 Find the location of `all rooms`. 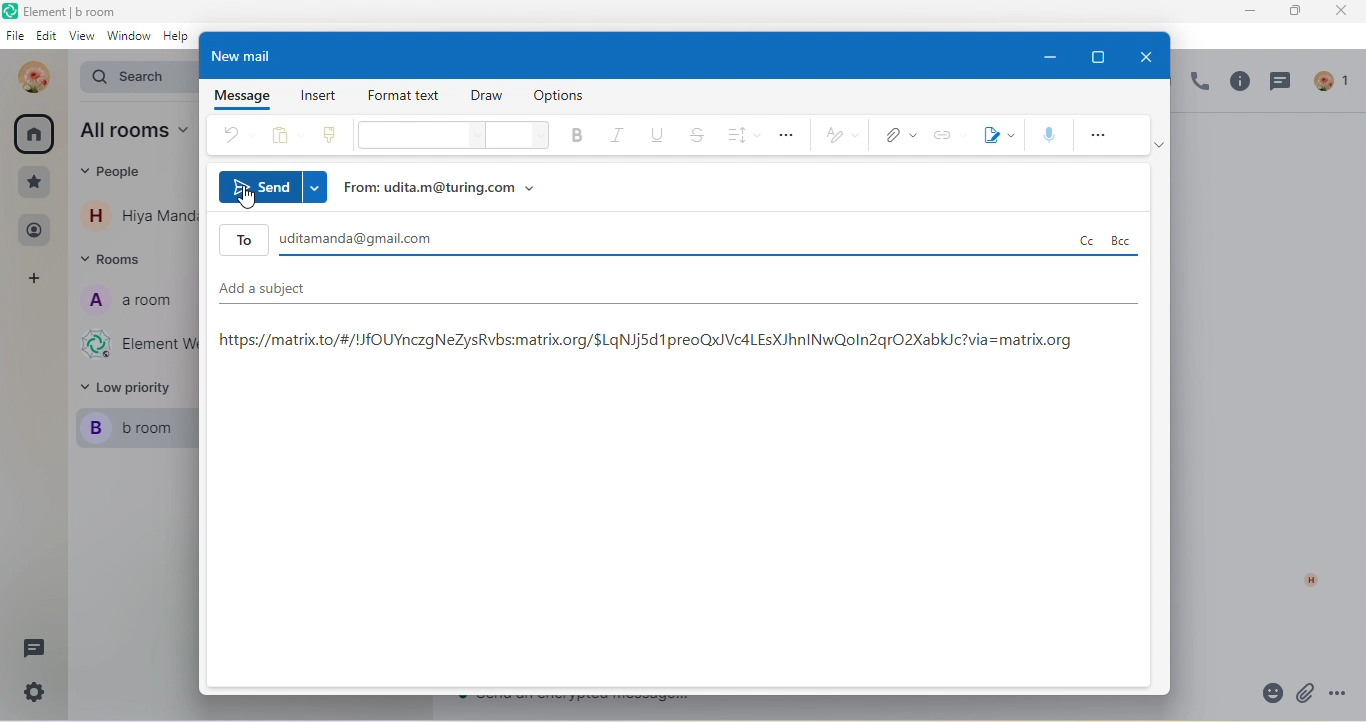

all rooms is located at coordinates (130, 132).